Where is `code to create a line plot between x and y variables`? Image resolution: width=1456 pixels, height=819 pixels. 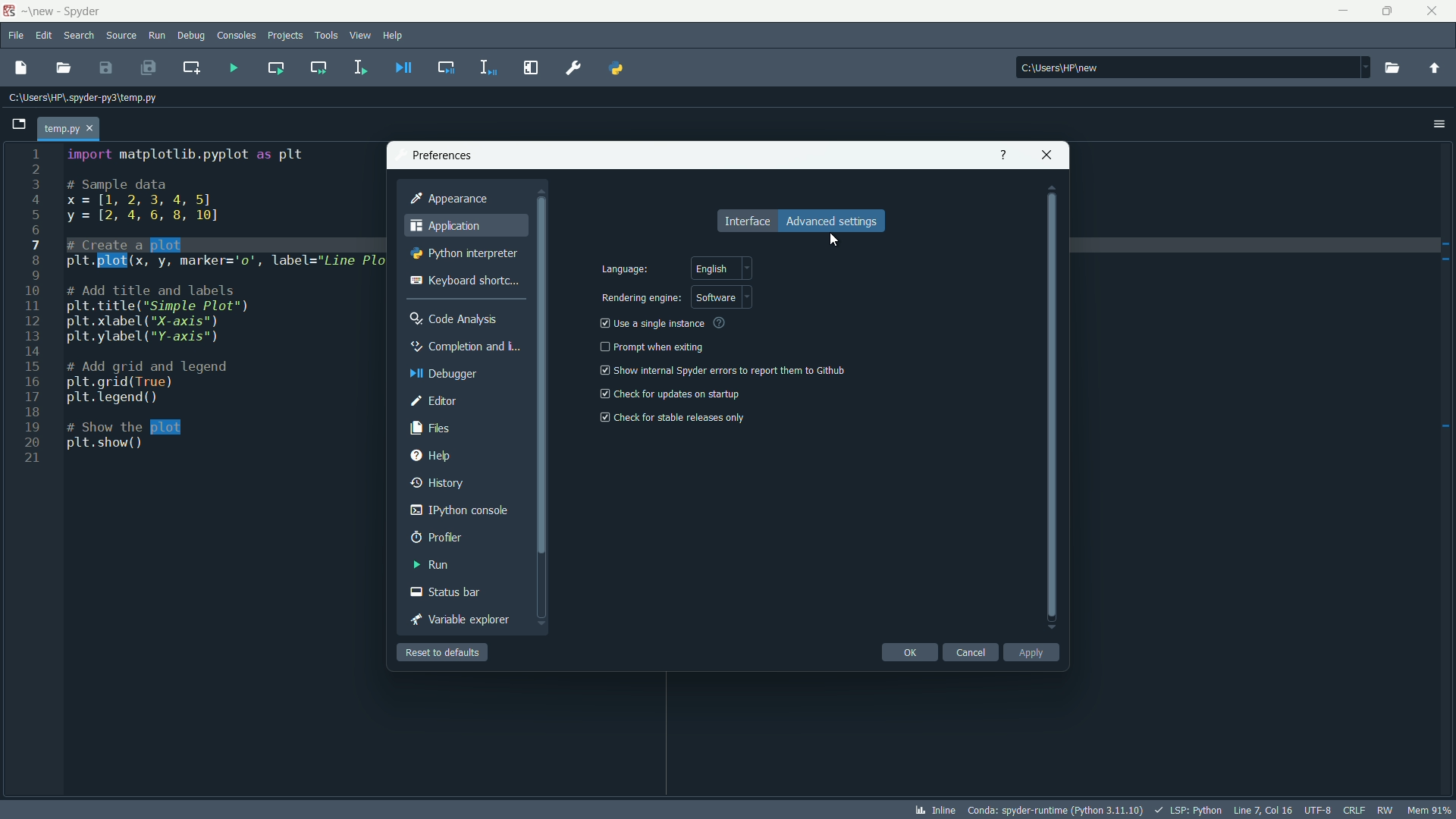 code to create a line plot between x and y variables is located at coordinates (217, 300).